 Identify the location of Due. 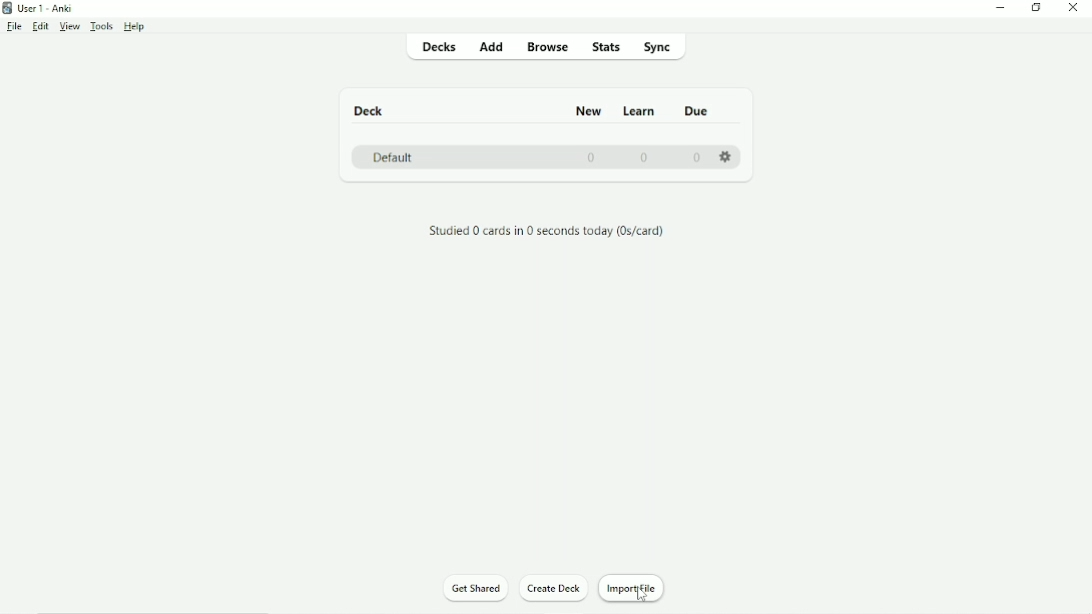
(697, 111).